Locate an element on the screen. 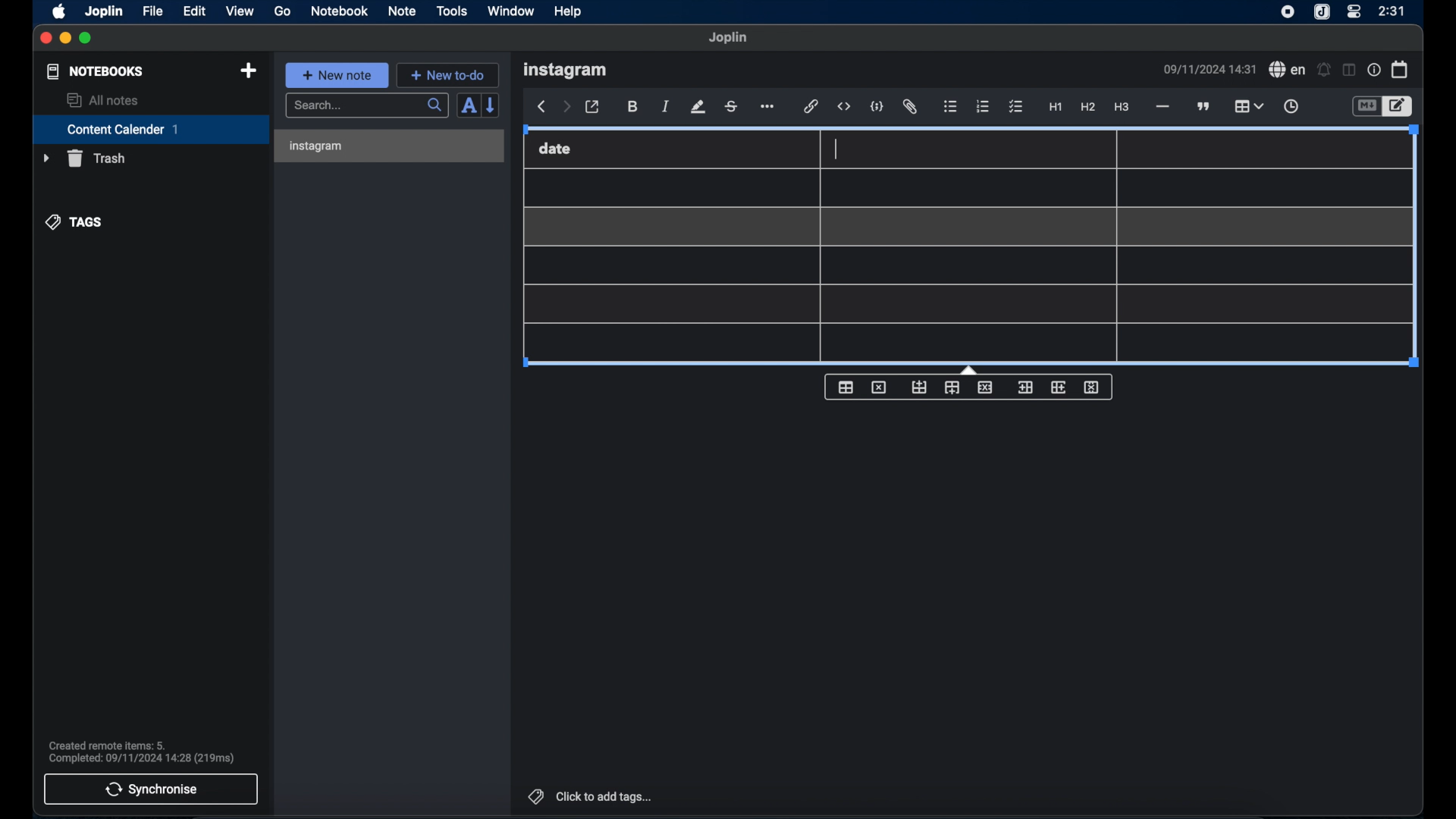 The height and width of the screenshot is (819, 1456). heading 3 is located at coordinates (1122, 108).